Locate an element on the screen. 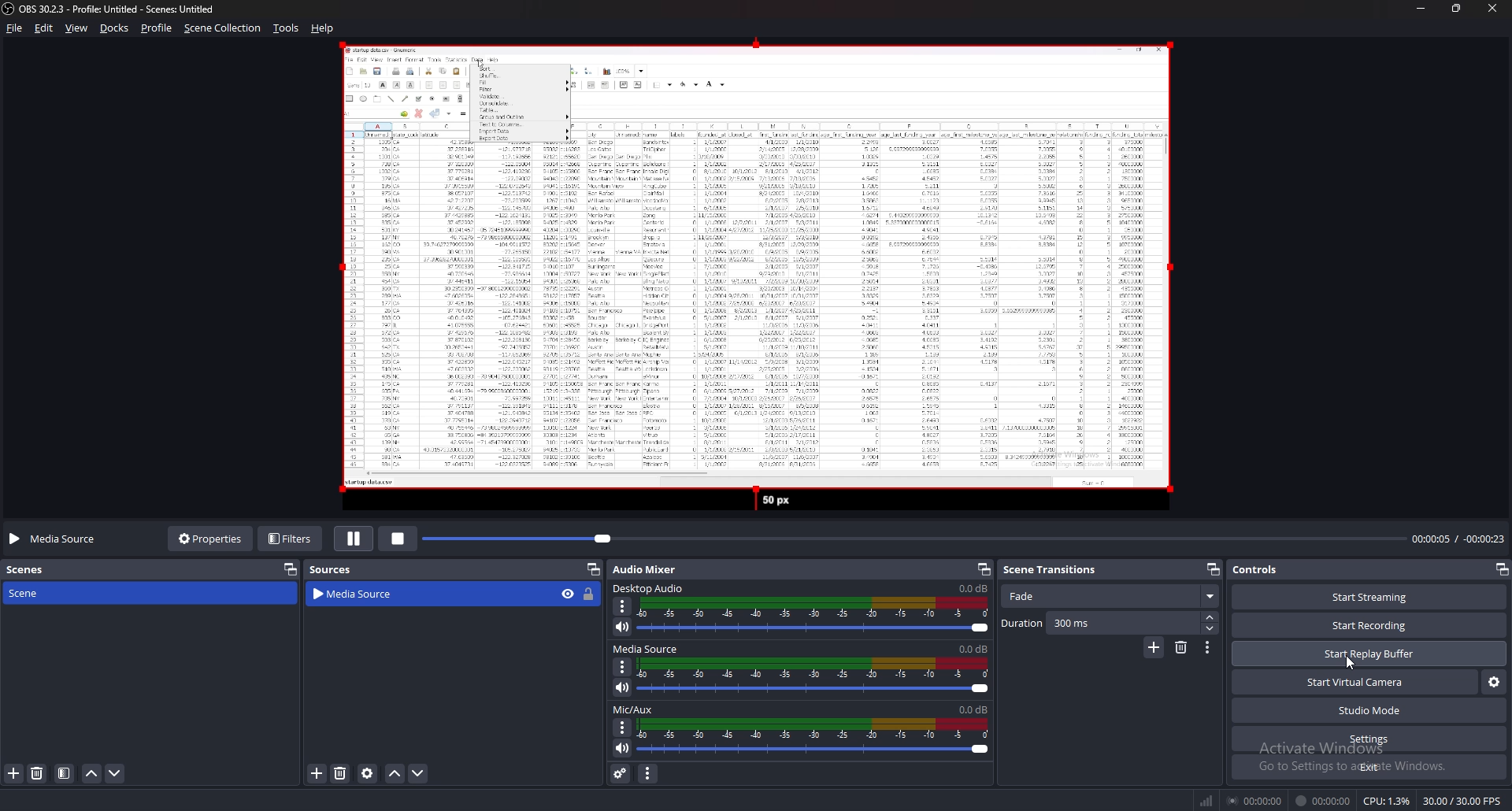 Image resolution: width=1512 pixels, height=811 pixels. obs logo is located at coordinates (9, 9).